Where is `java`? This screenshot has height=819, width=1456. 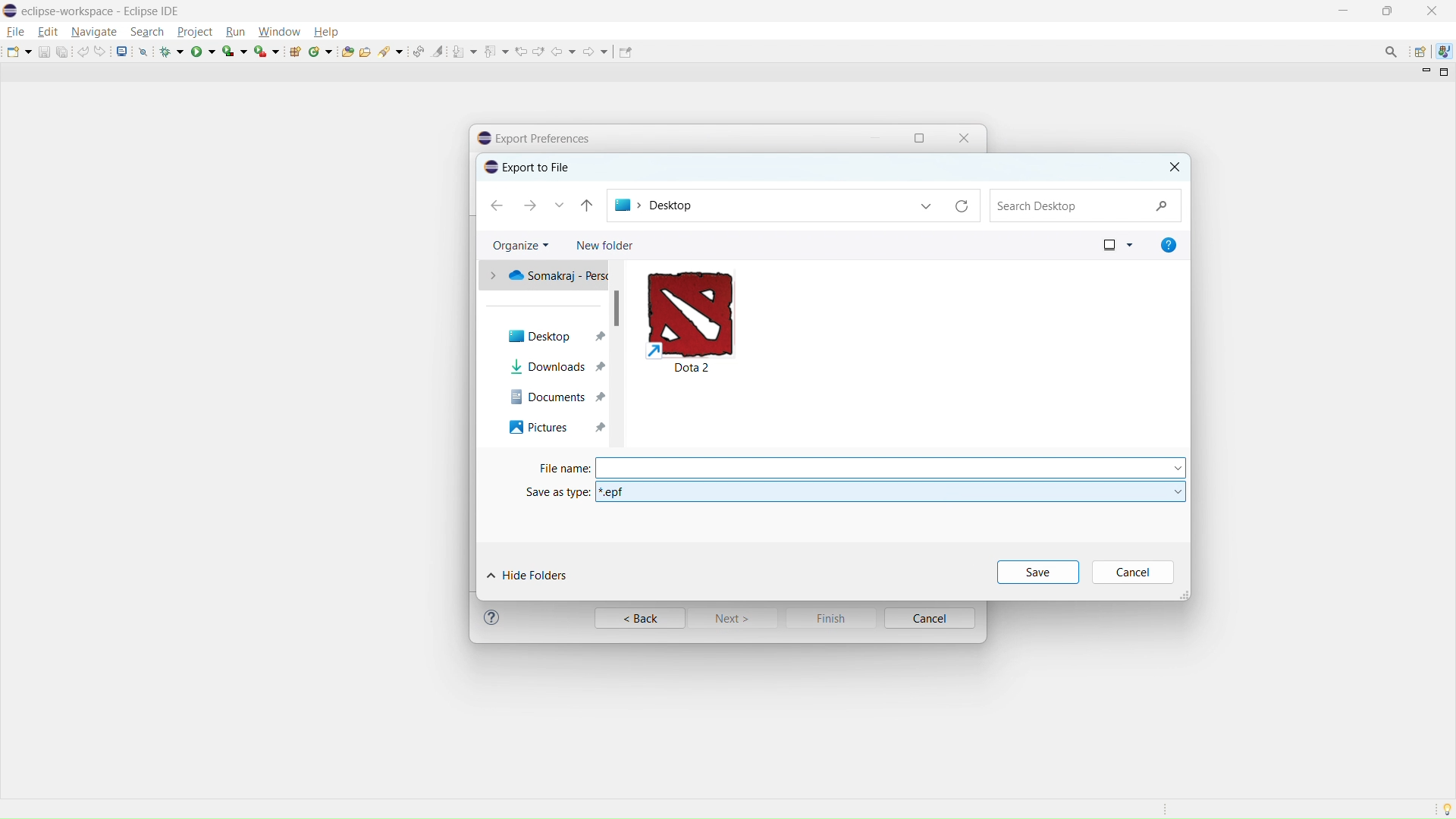 java is located at coordinates (1444, 50).